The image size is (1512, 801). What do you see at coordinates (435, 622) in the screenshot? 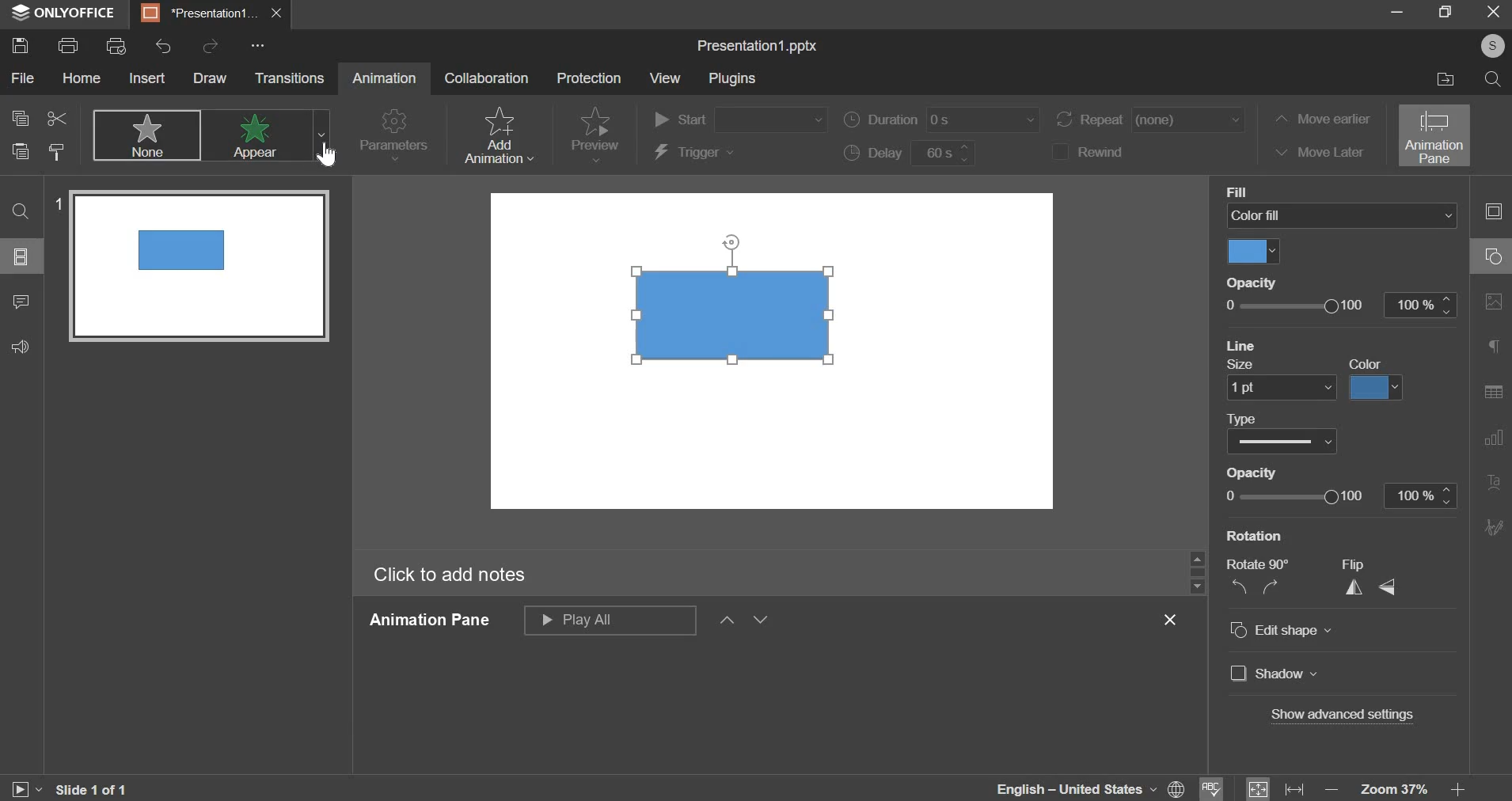
I see `Animation Pane` at bounding box center [435, 622].